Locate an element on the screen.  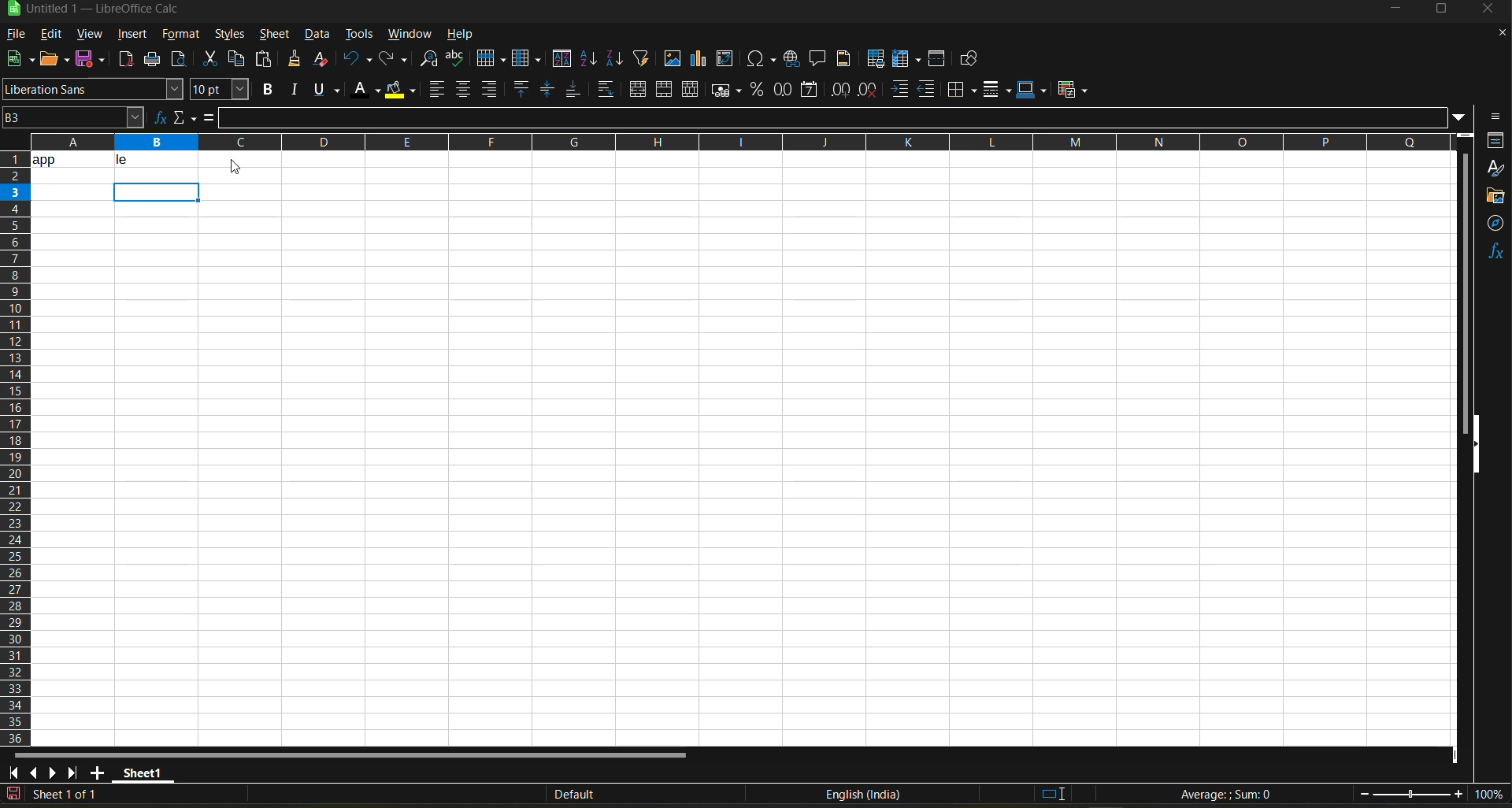
properties is located at coordinates (1496, 140).